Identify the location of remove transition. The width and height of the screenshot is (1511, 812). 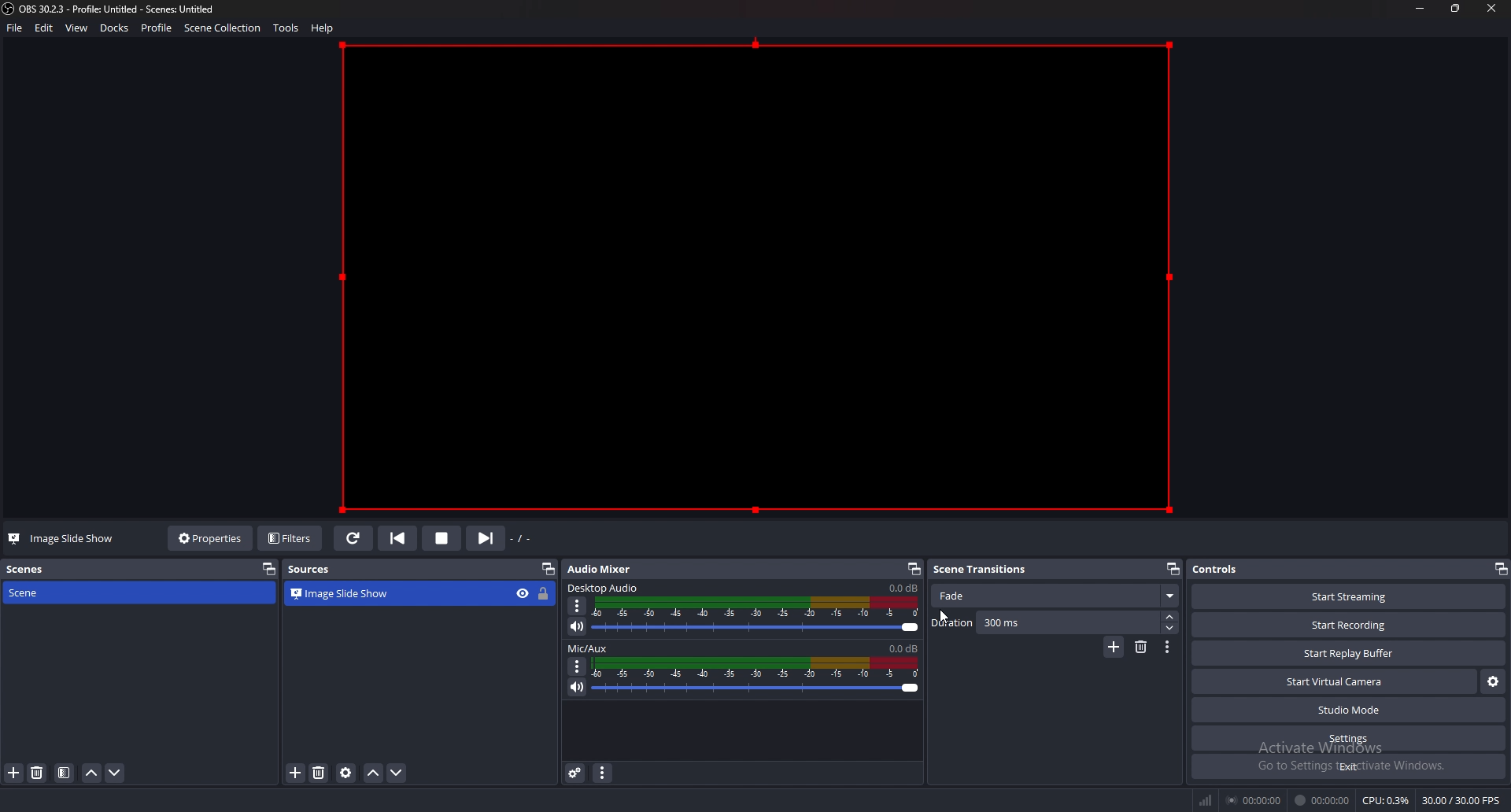
(1140, 648).